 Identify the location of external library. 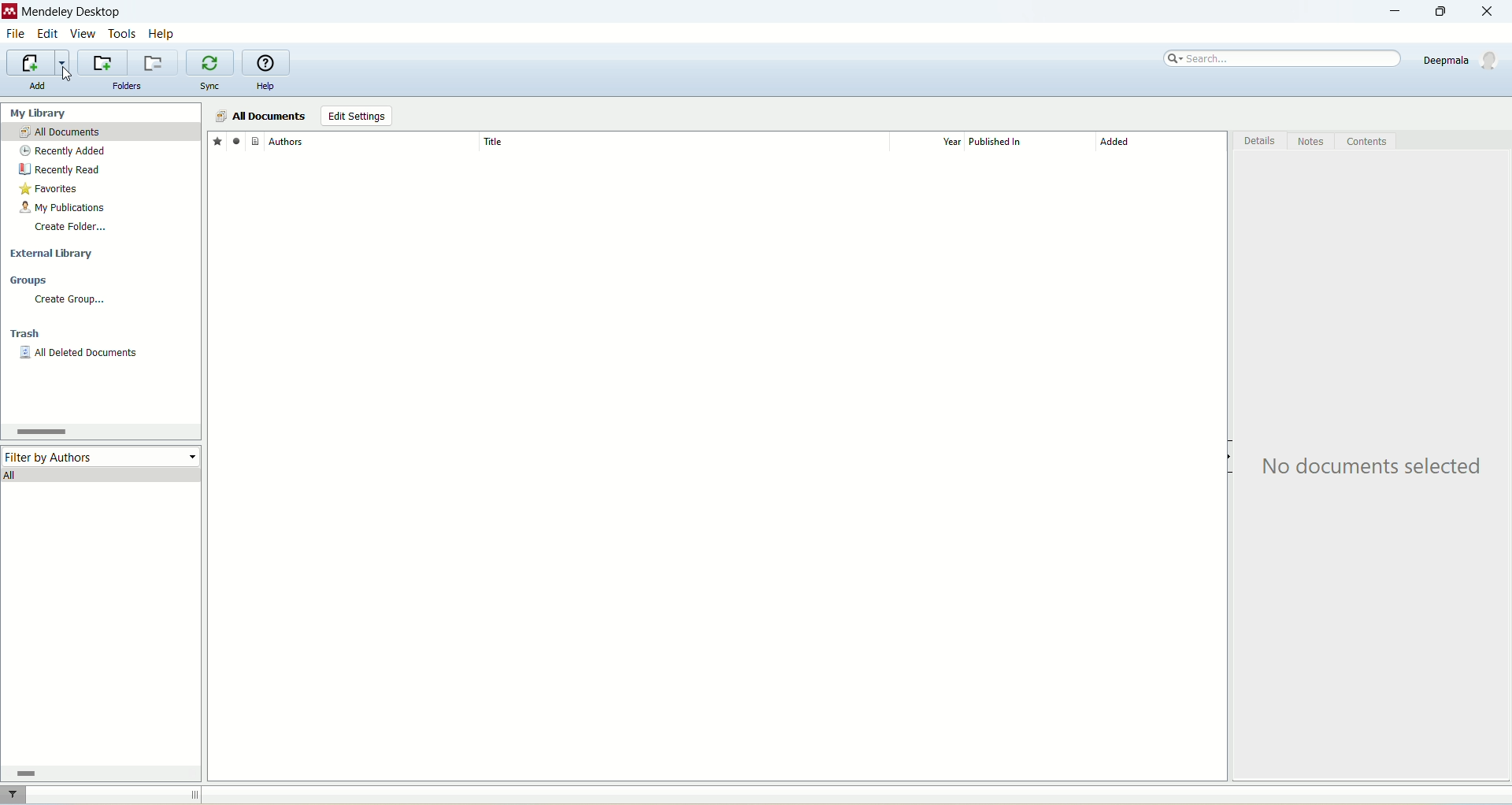
(54, 254).